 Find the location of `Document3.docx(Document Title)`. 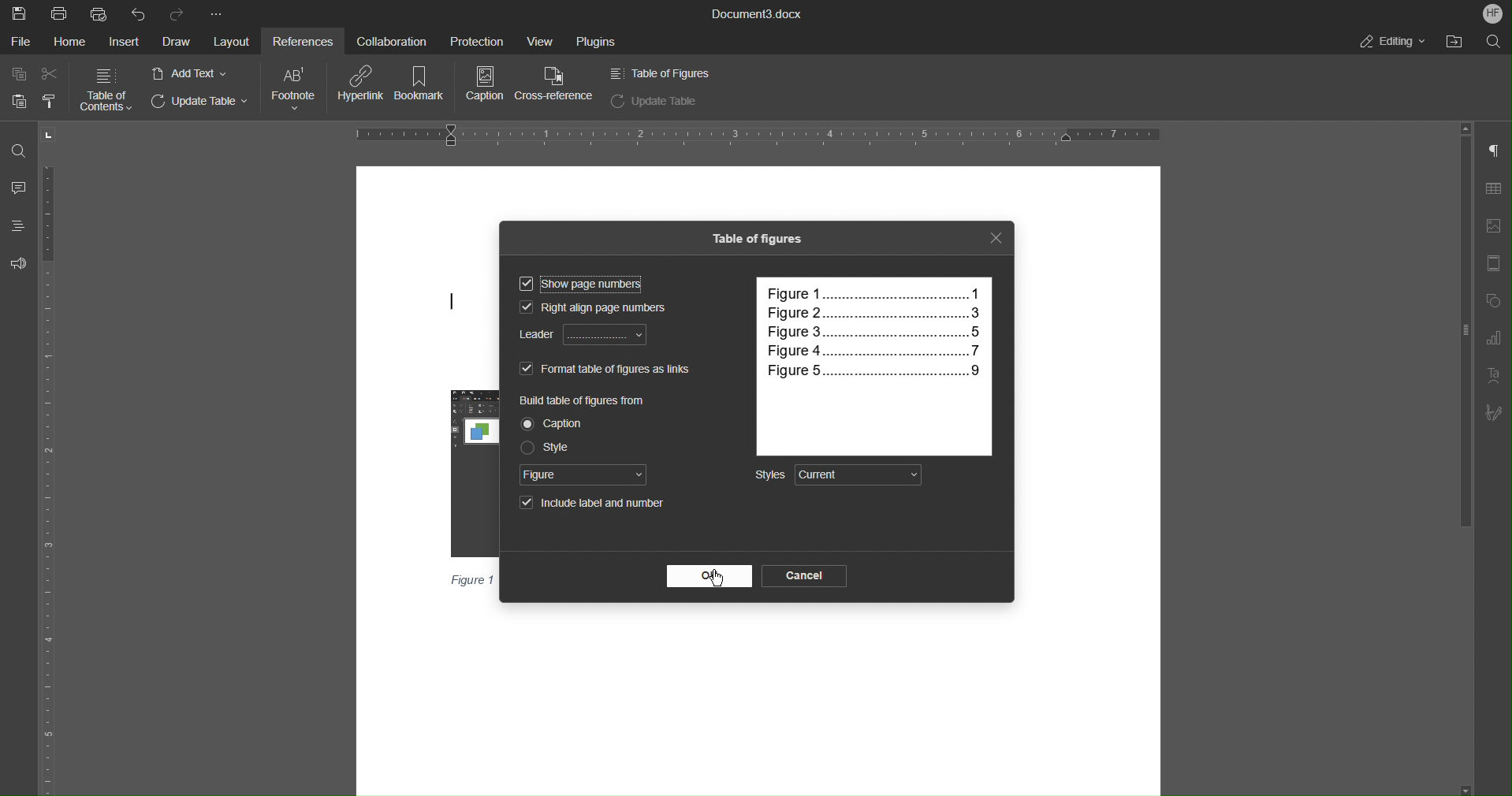

Document3.docx(Document Title) is located at coordinates (755, 13).